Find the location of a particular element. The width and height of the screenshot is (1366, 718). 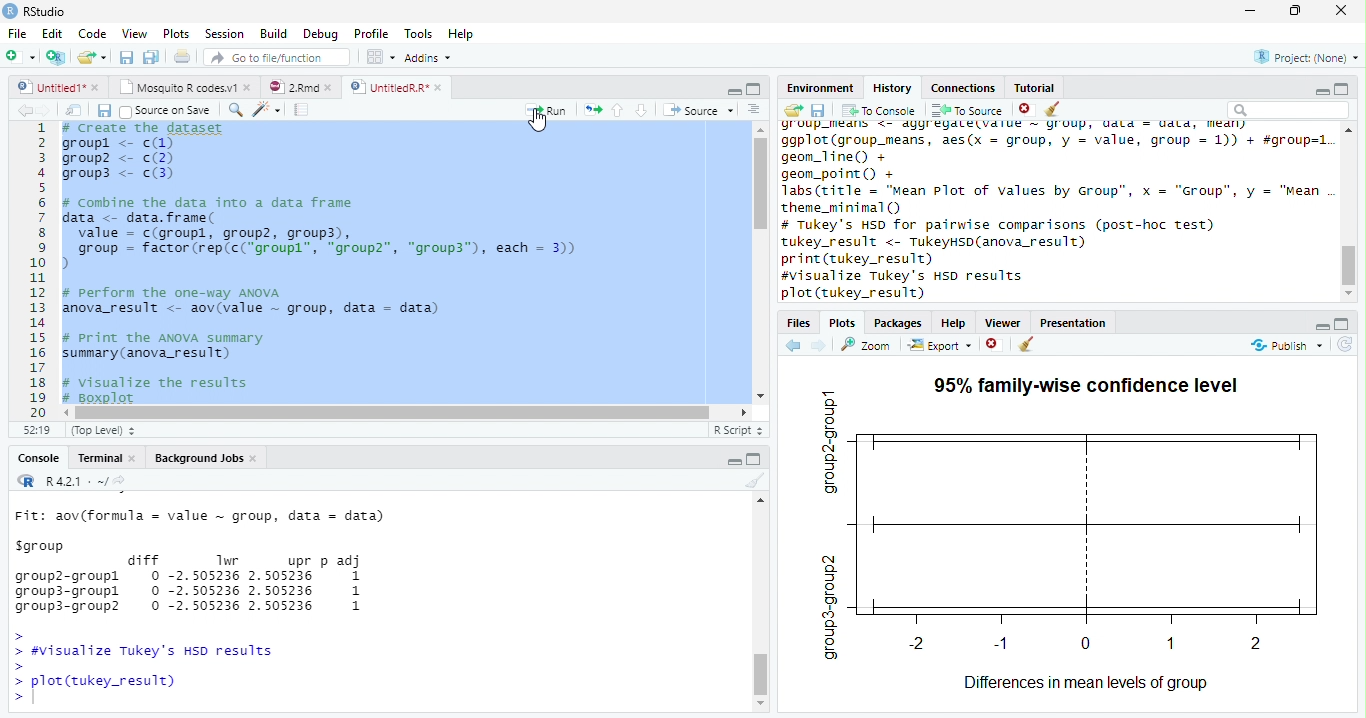

Files is located at coordinates (797, 323).